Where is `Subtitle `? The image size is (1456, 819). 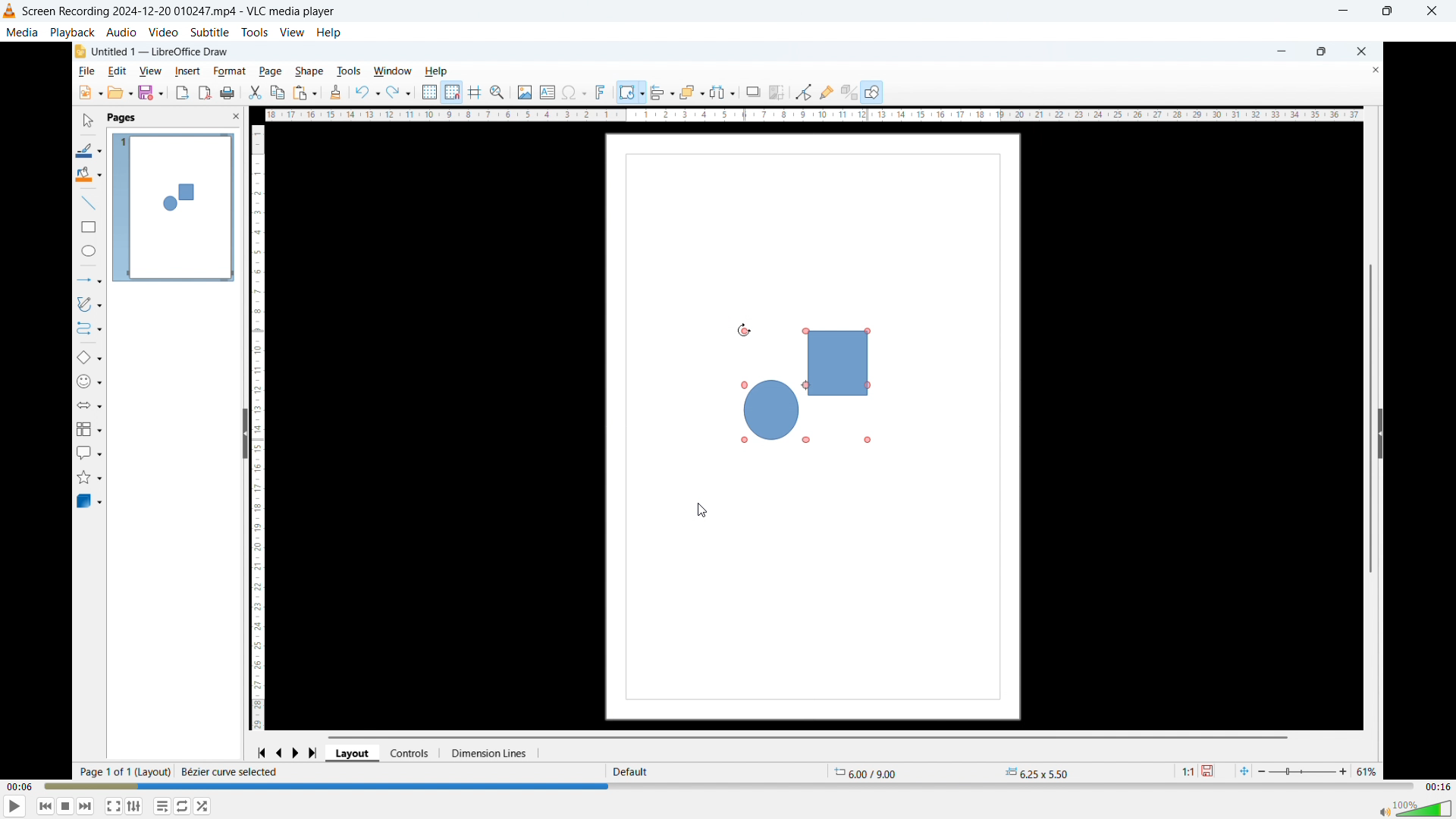 Subtitle  is located at coordinates (209, 32).